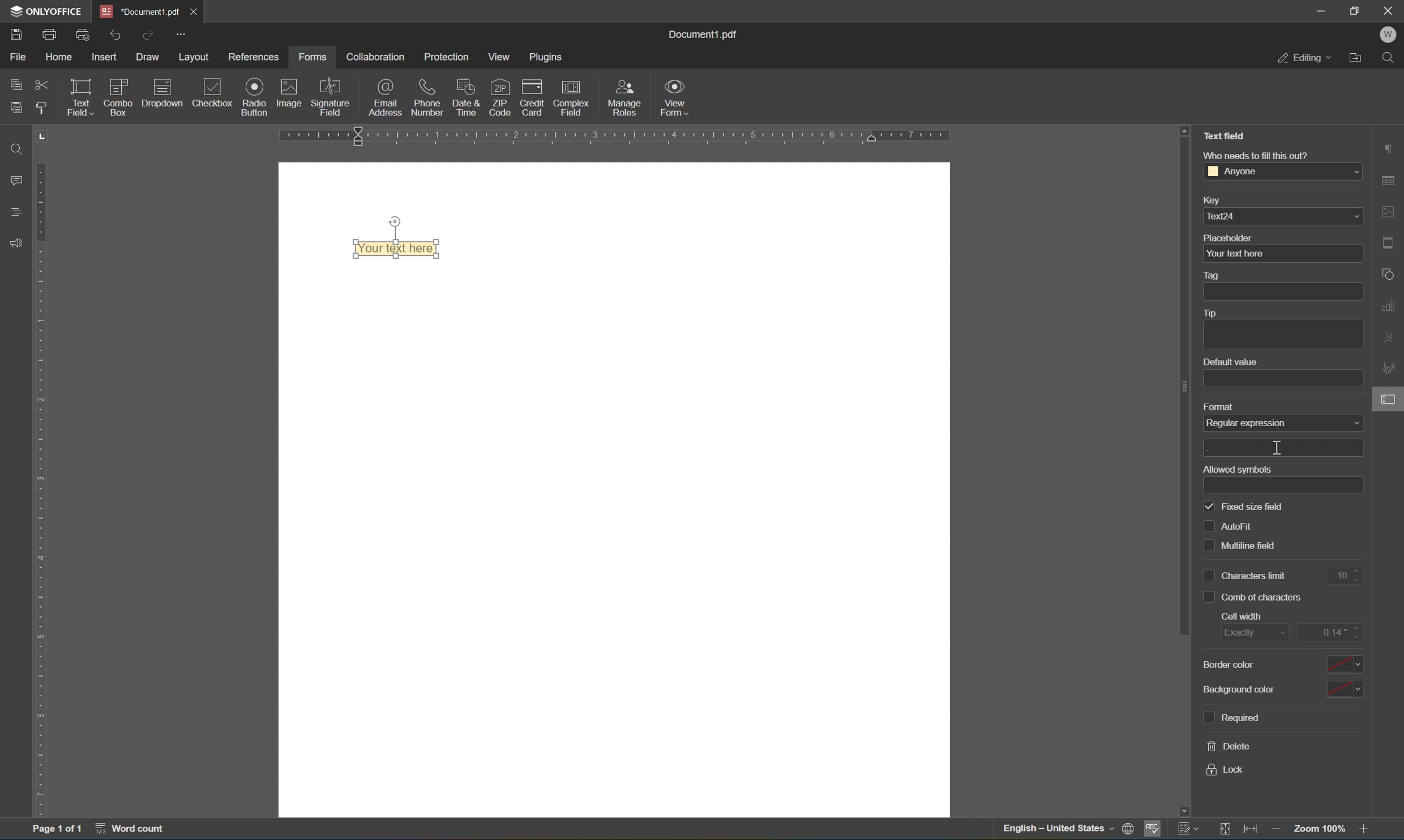 The height and width of the screenshot is (840, 1404). I want to click on regular expression, so click(1283, 422).